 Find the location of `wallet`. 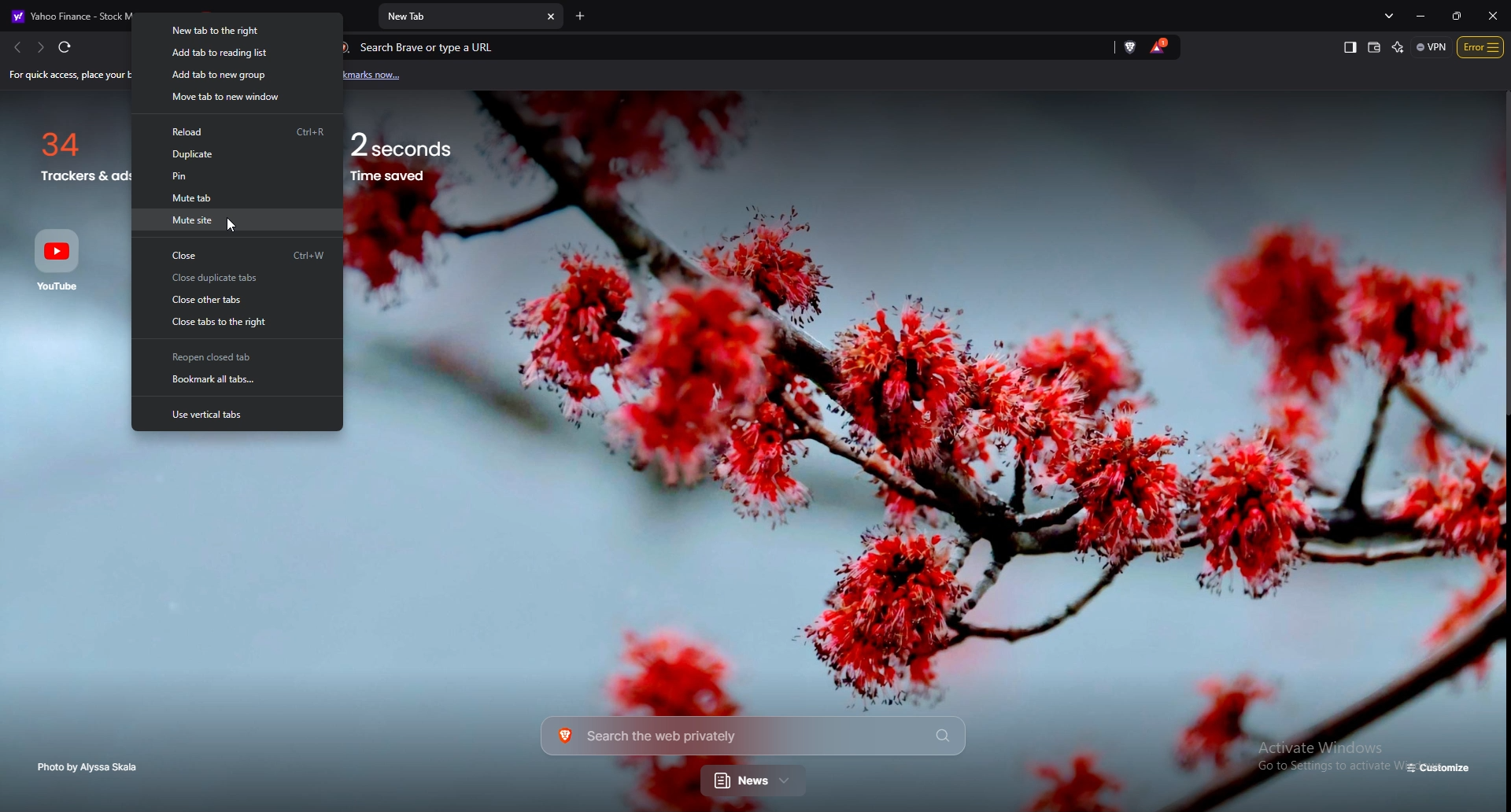

wallet is located at coordinates (1375, 47).